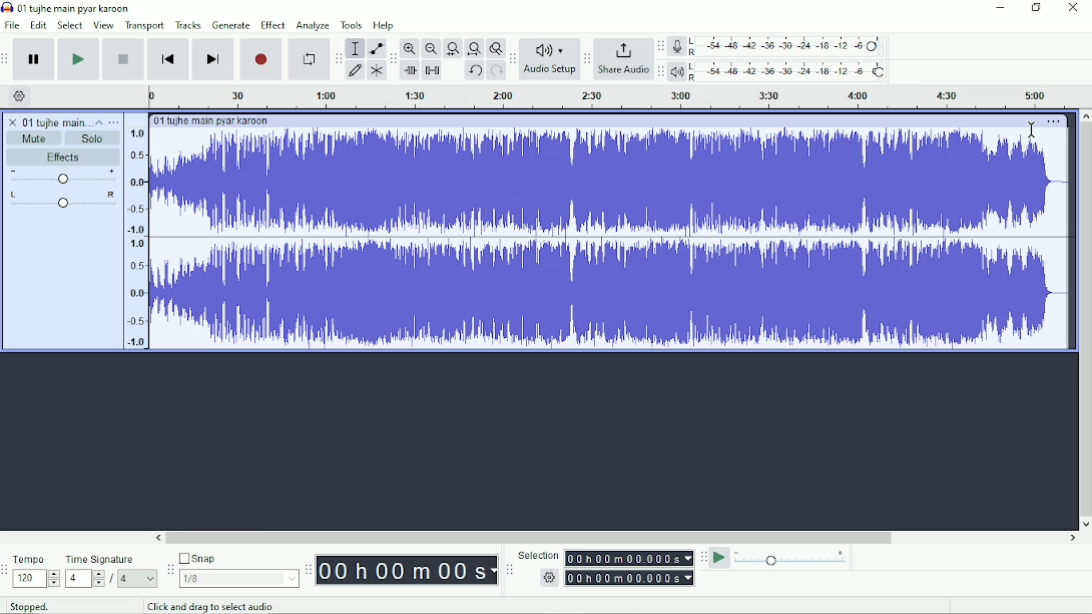 This screenshot has height=614, width=1092. I want to click on Audacity recording meter toolbar, so click(661, 47).